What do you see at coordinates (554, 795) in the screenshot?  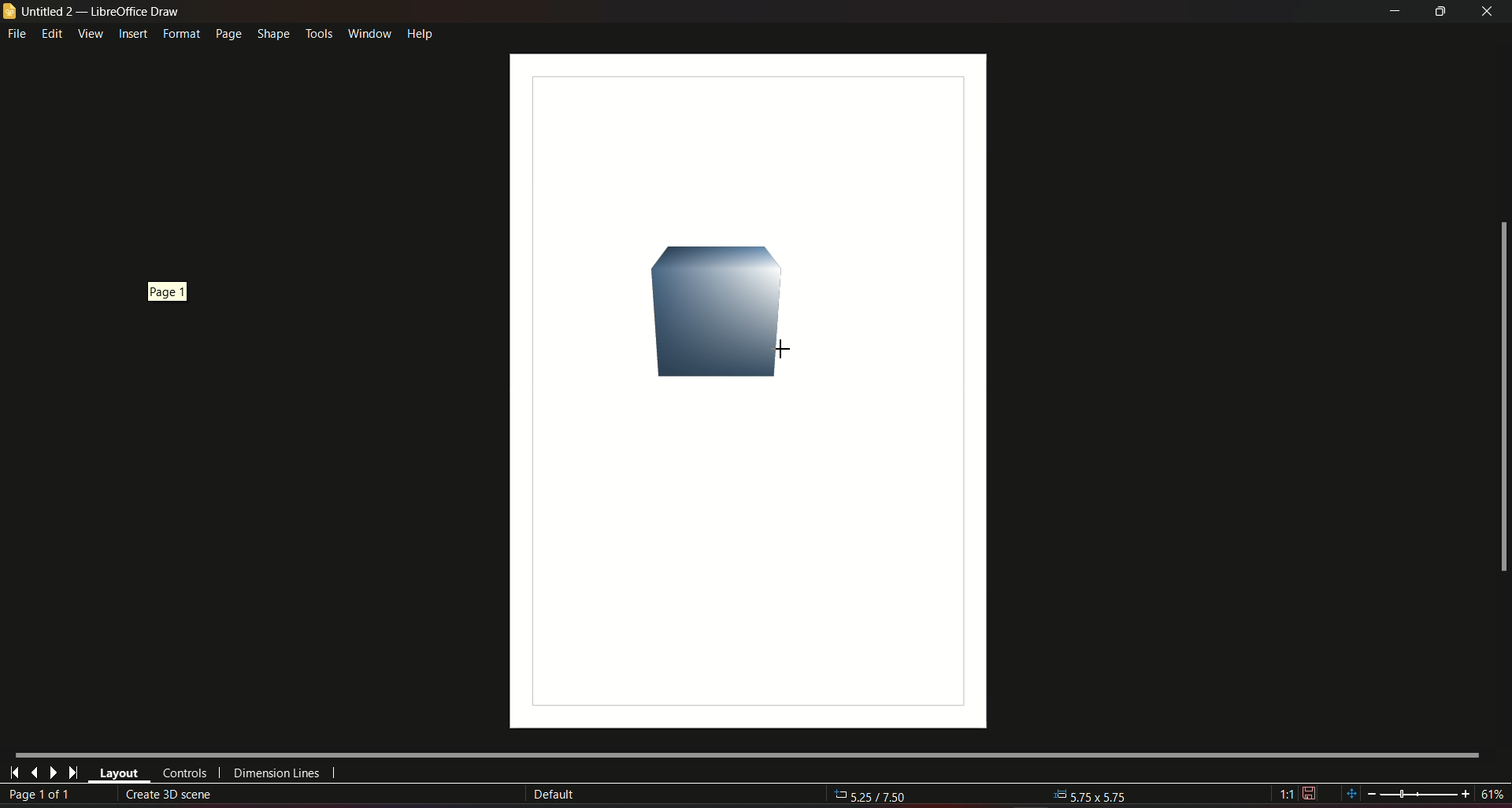 I see `Default` at bounding box center [554, 795].